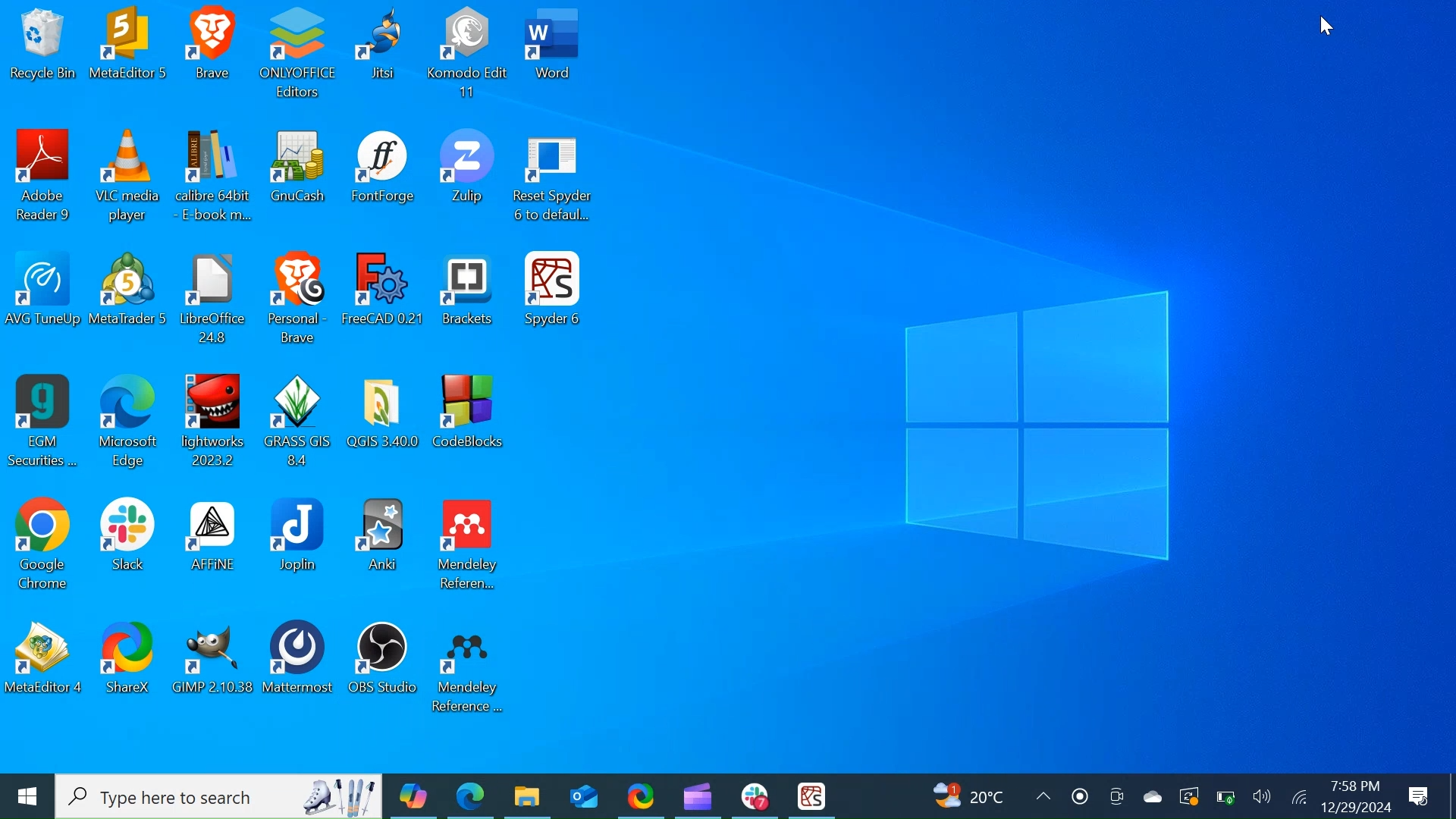 This screenshot has width=1456, height=819. Describe the element at coordinates (558, 299) in the screenshot. I see `Spyder Desktop icon` at that location.